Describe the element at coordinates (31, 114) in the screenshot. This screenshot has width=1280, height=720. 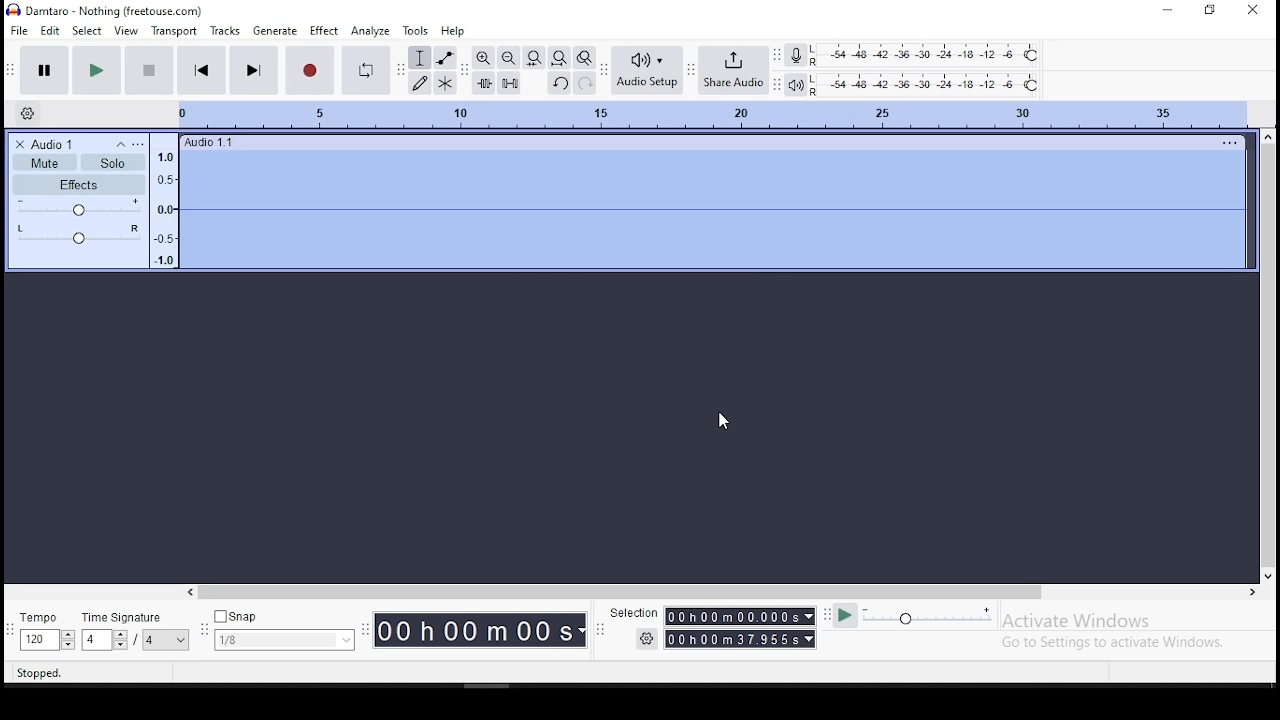
I see `timeline settings` at that location.